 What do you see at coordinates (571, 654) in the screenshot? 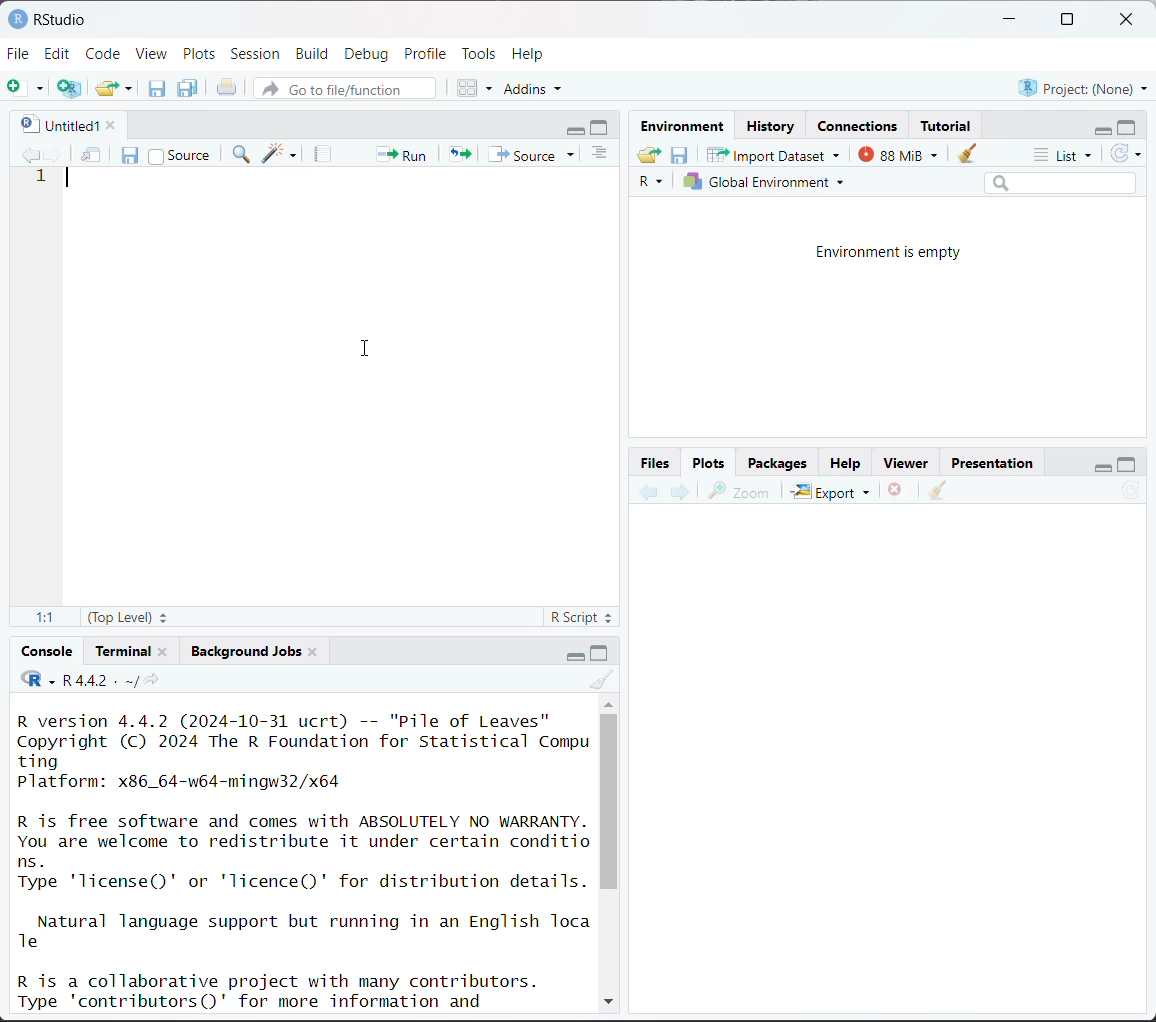
I see `minimize` at bounding box center [571, 654].